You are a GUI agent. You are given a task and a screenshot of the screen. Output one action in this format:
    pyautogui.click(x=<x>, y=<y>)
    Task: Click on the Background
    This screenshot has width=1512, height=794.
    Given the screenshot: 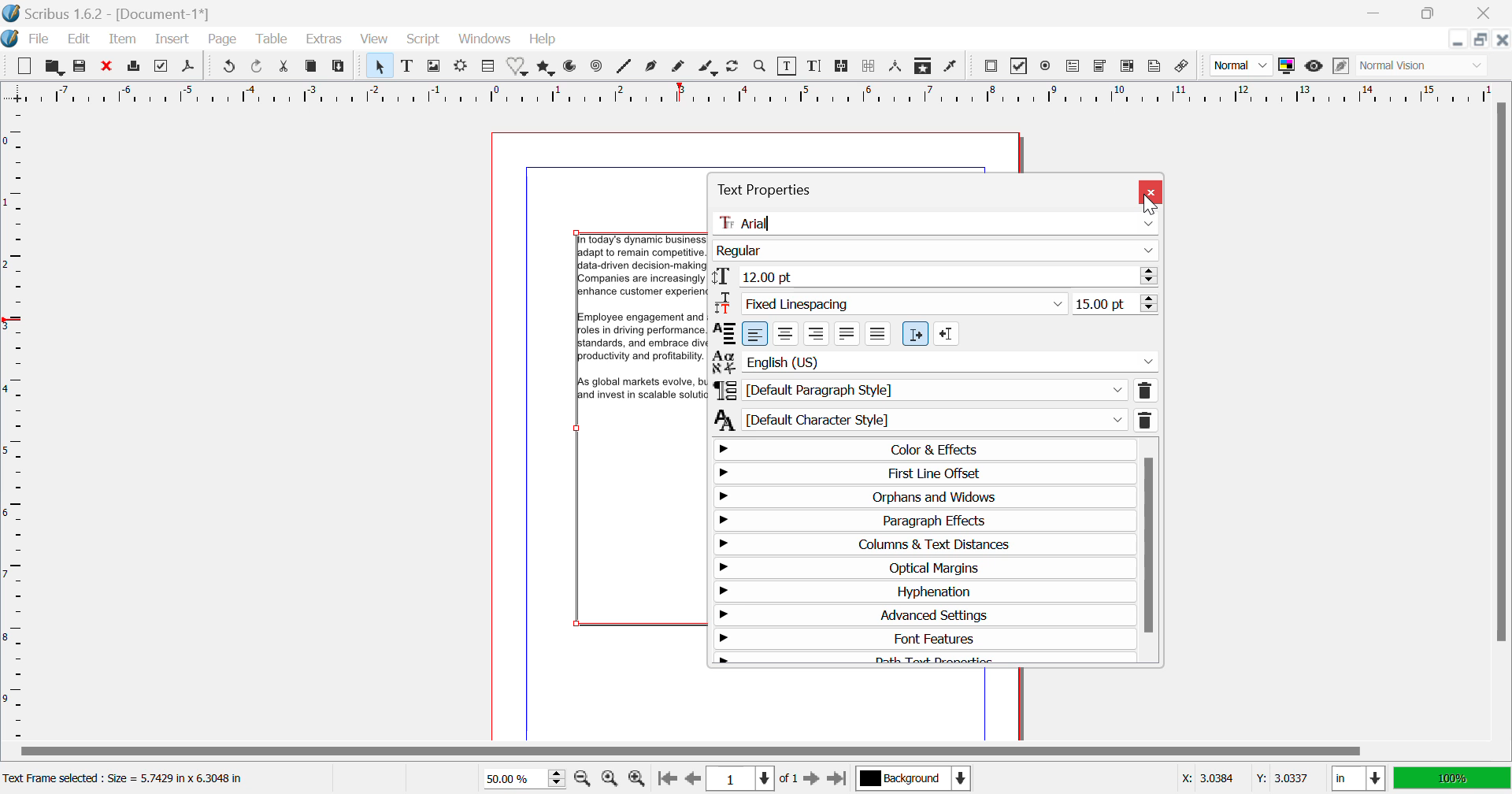 What is the action you would take?
    pyautogui.click(x=912, y=777)
    